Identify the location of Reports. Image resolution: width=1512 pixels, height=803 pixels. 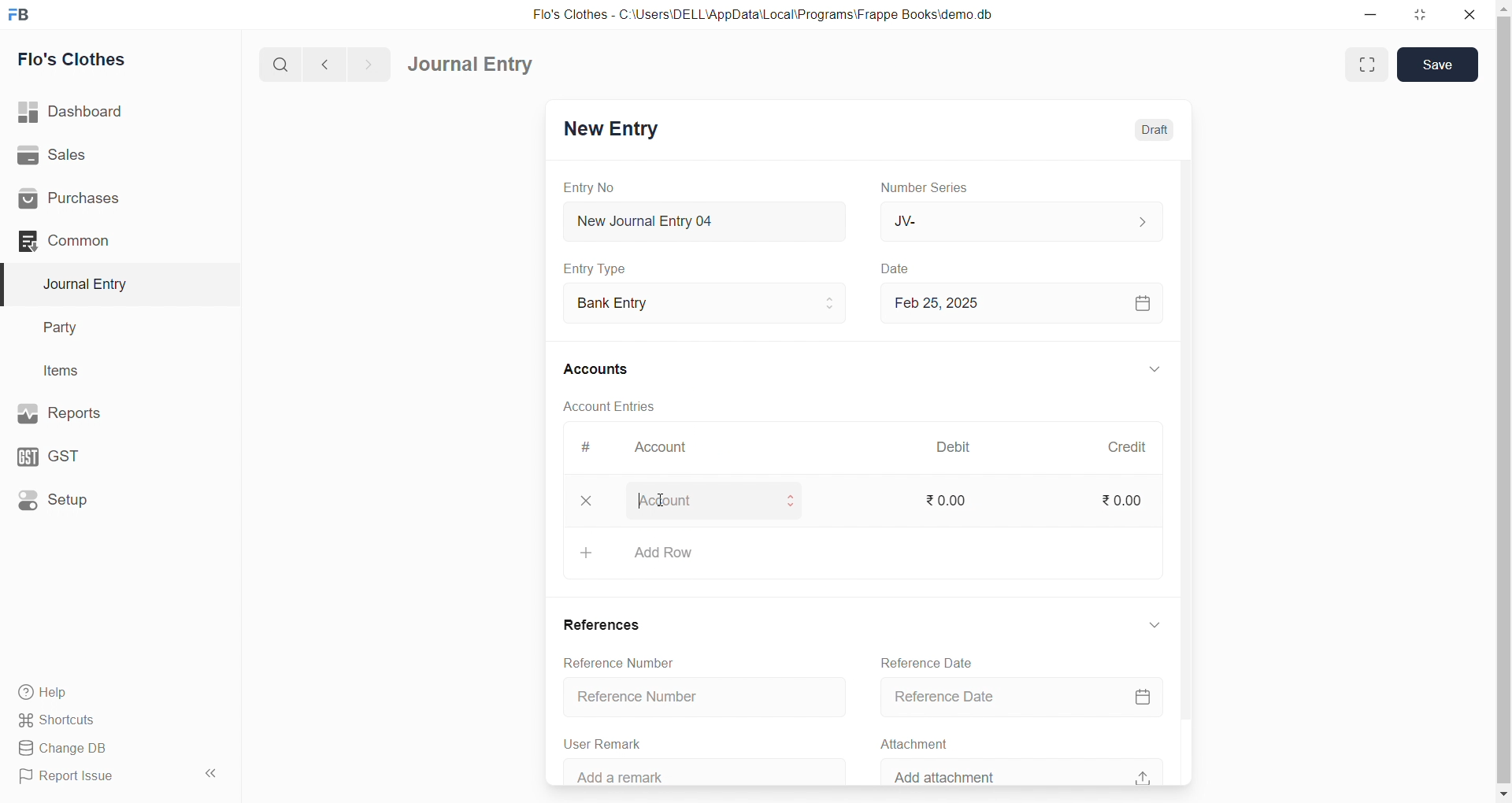
(110, 412).